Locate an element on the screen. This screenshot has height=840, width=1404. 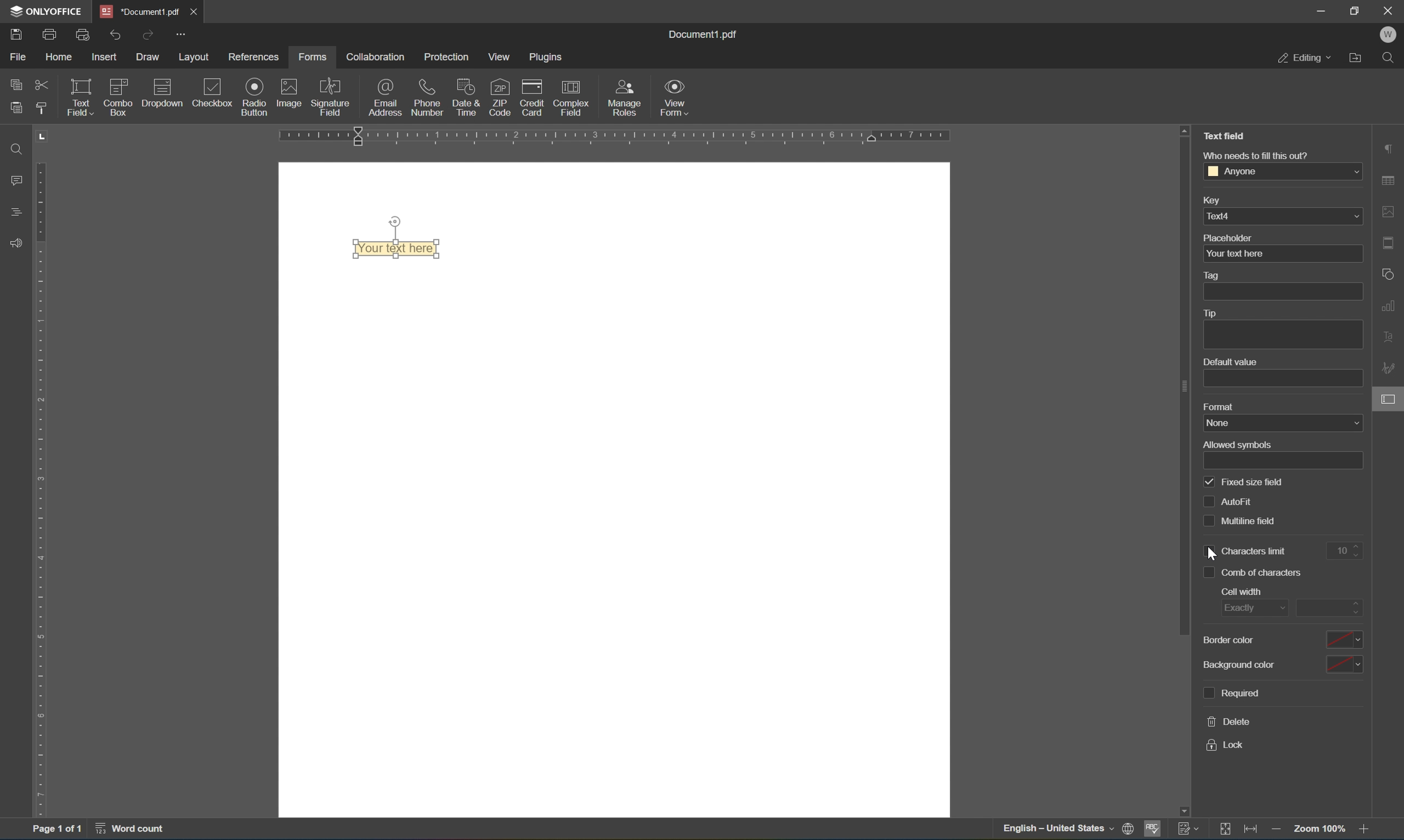
checkbox is located at coordinates (1212, 483).